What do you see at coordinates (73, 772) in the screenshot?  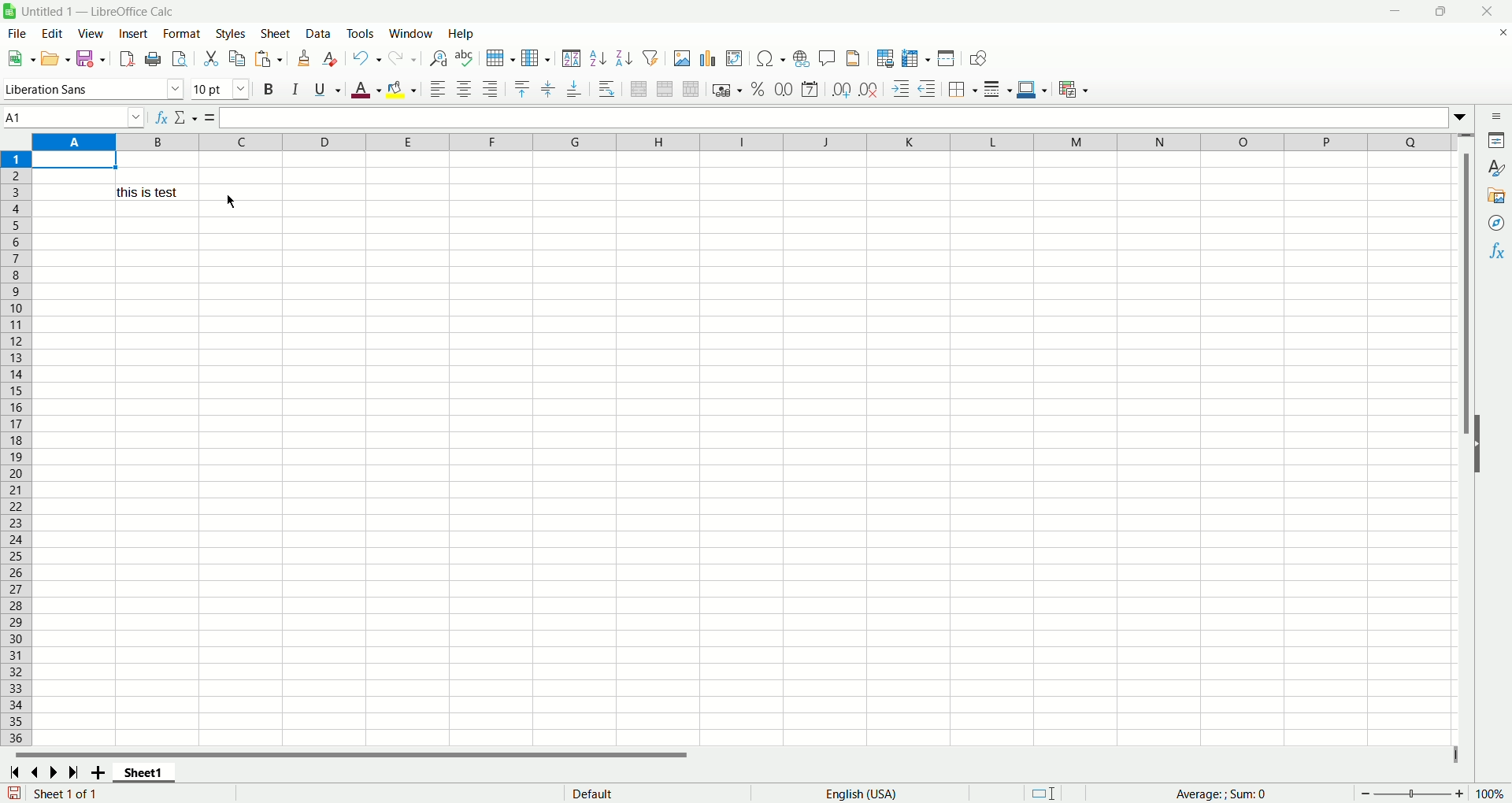 I see `last sheet` at bounding box center [73, 772].